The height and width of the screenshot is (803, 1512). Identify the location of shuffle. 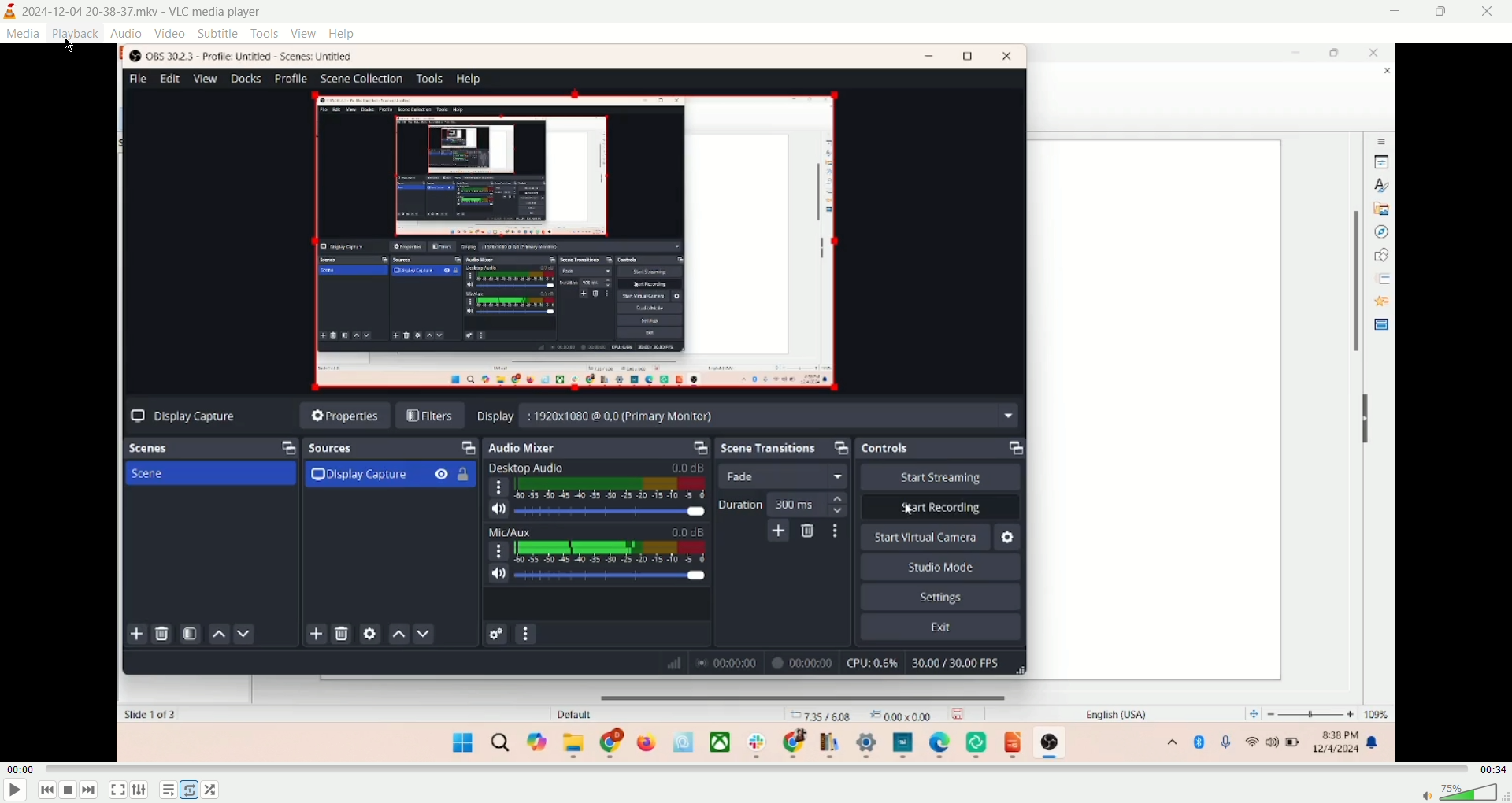
(220, 790).